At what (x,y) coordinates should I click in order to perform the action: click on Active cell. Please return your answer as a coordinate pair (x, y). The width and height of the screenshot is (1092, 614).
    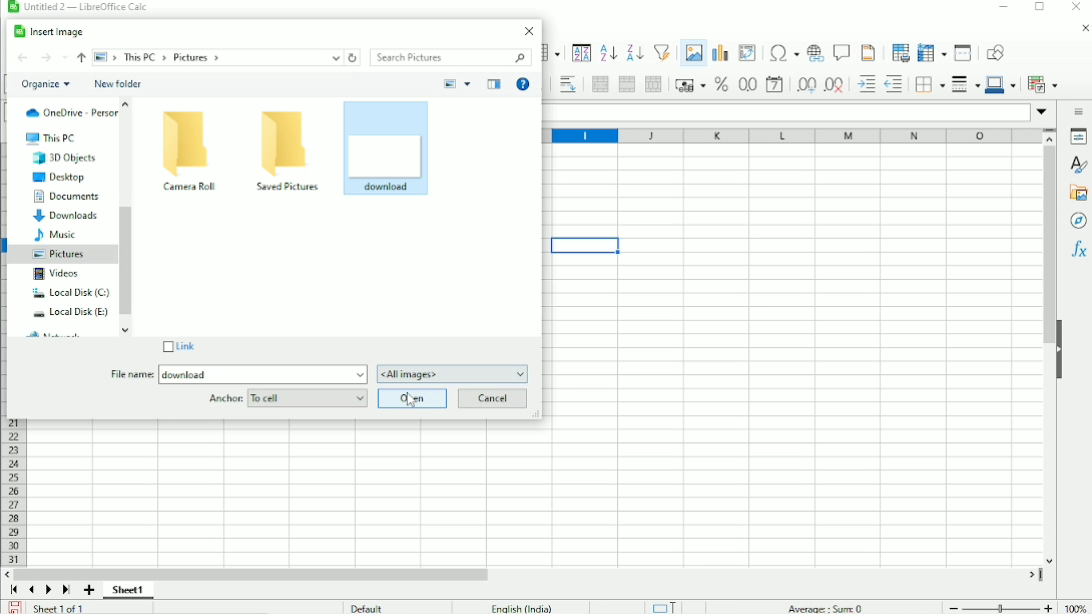
    Looking at the image, I should click on (585, 248).